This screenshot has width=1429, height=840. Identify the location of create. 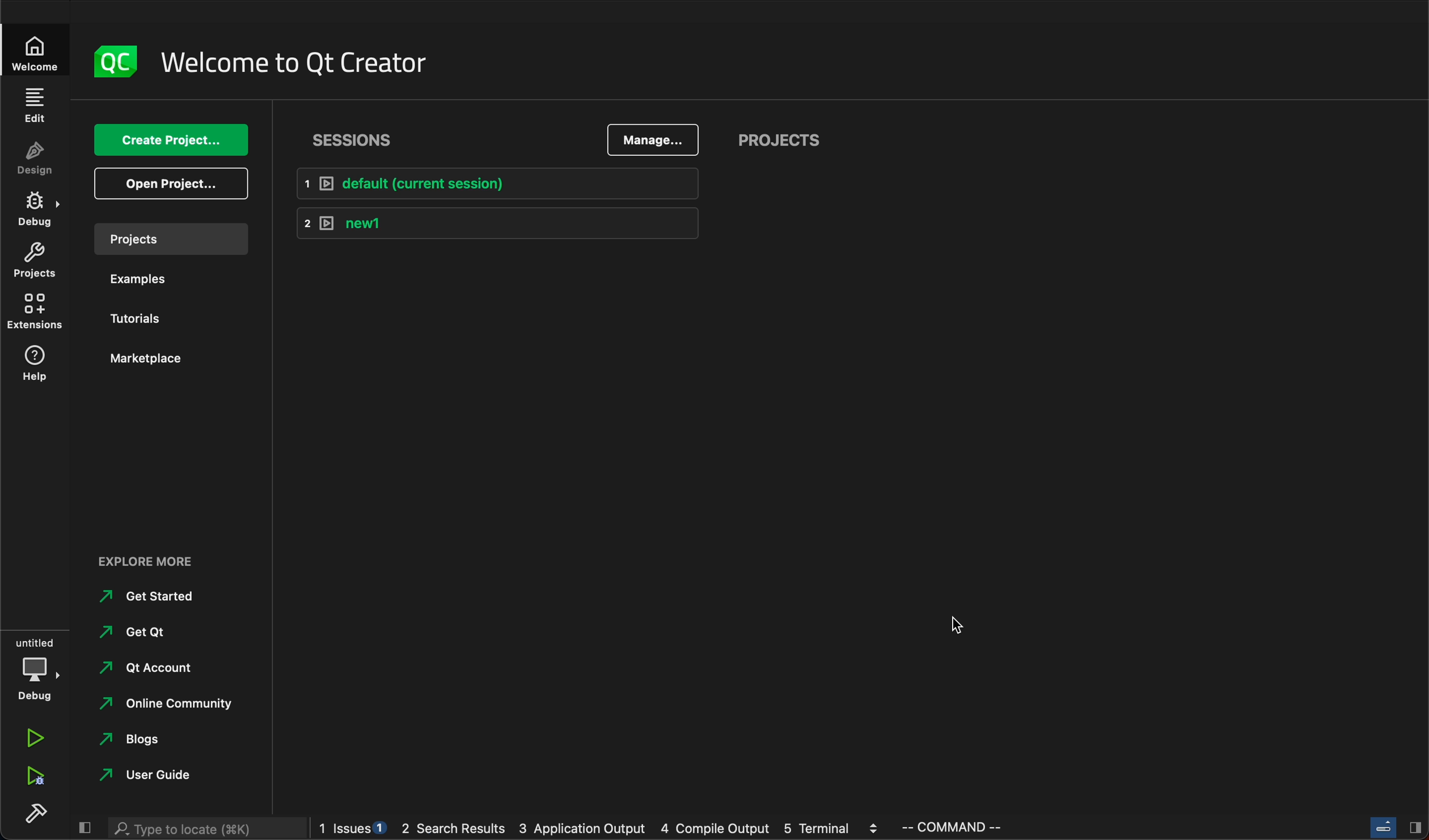
(166, 139).